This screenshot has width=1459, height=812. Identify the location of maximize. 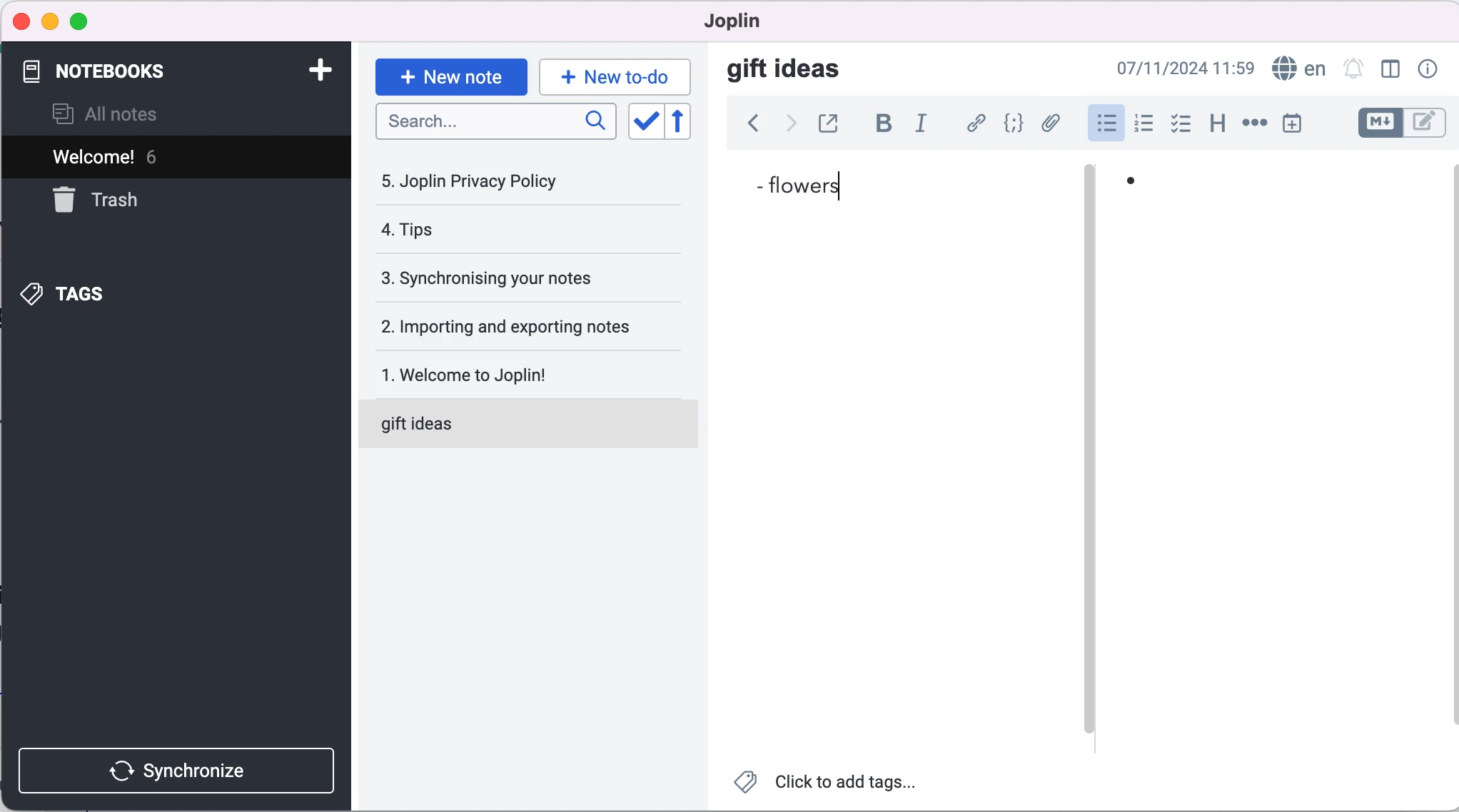
(86, 20).